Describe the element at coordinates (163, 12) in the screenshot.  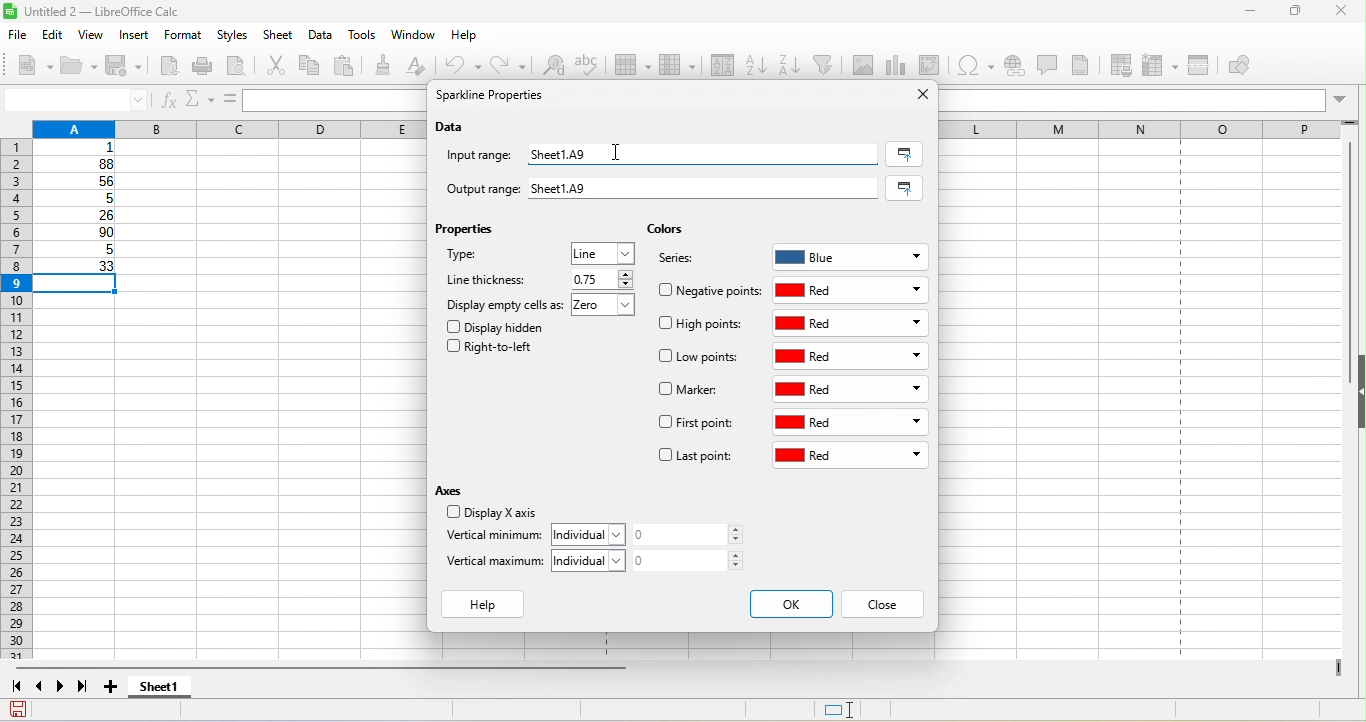
I see `untitled 2-libre office calc` at that location.